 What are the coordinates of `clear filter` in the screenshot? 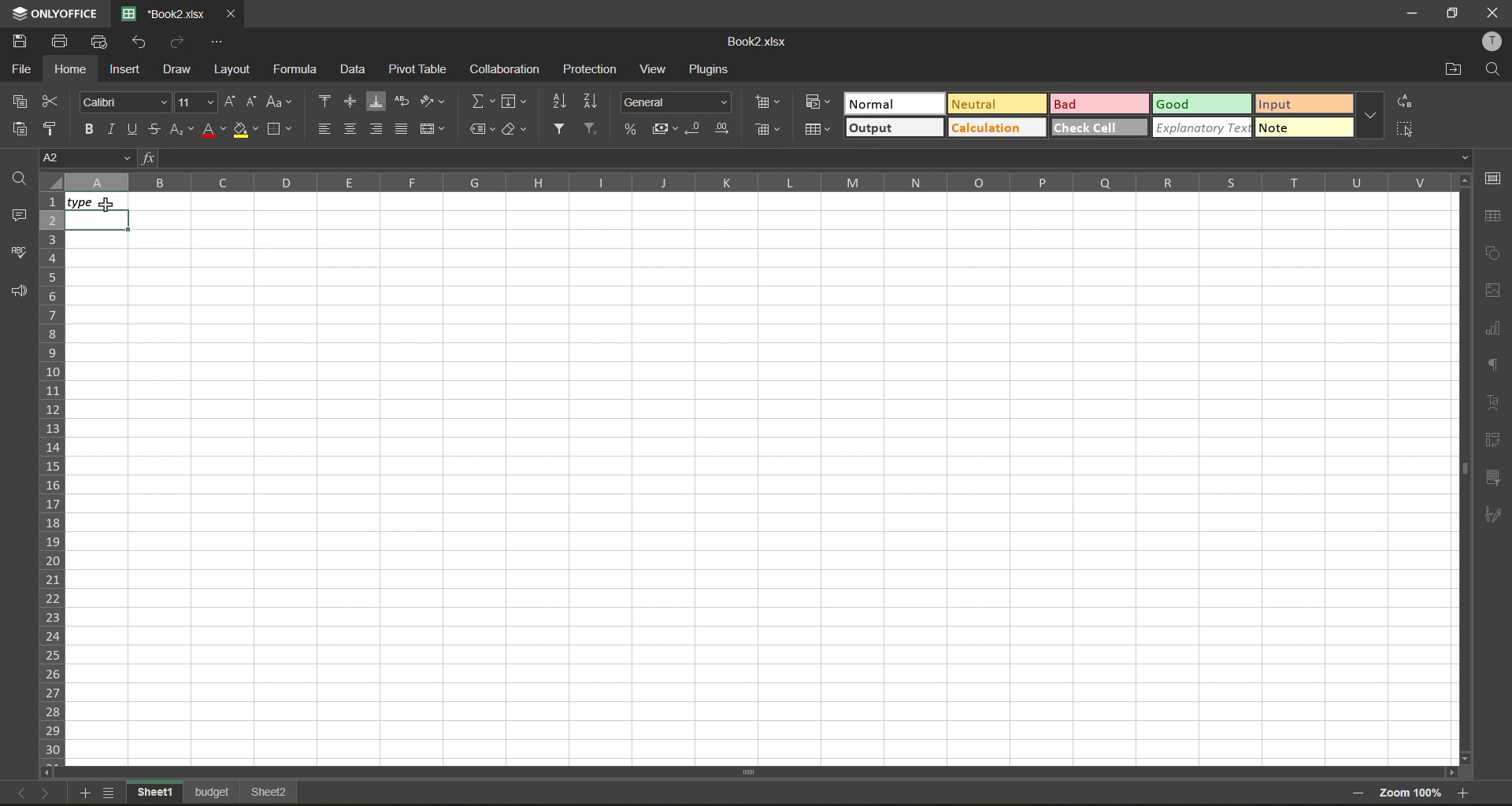 It's located at (591, 131).